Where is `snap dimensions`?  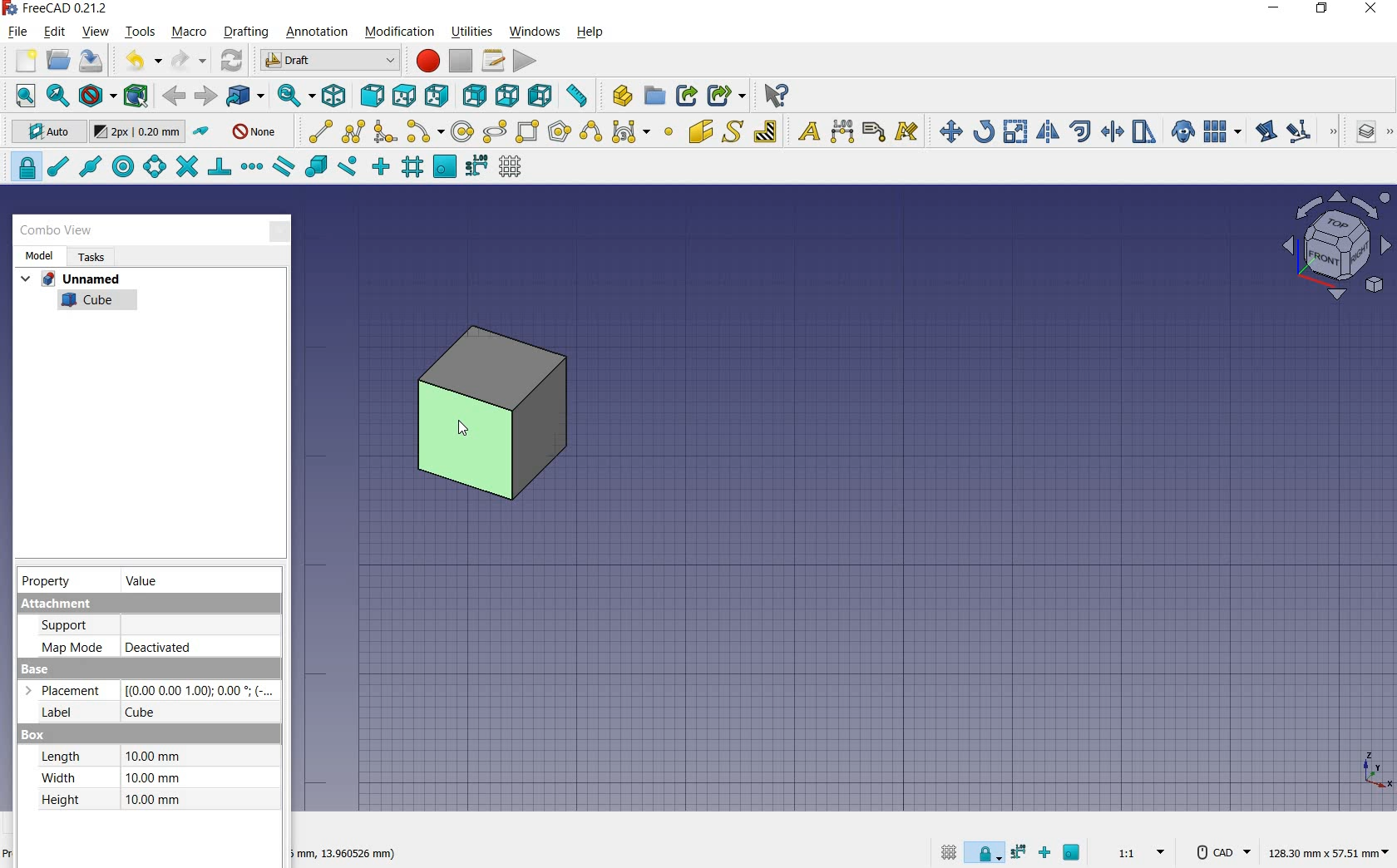 snap dimensions is located at coordinates (1019, 851).